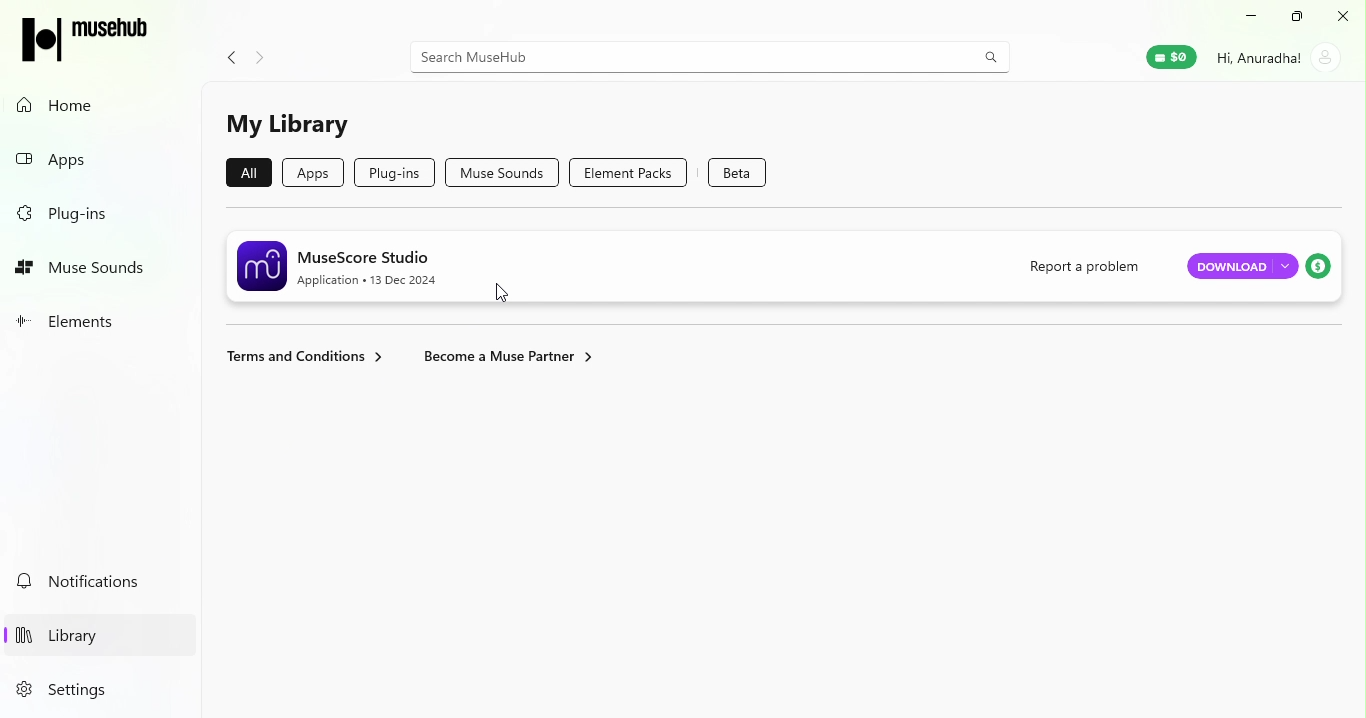 This screenshot has width=1366, height=718. I want to click on Notifications, so click(95, 582).